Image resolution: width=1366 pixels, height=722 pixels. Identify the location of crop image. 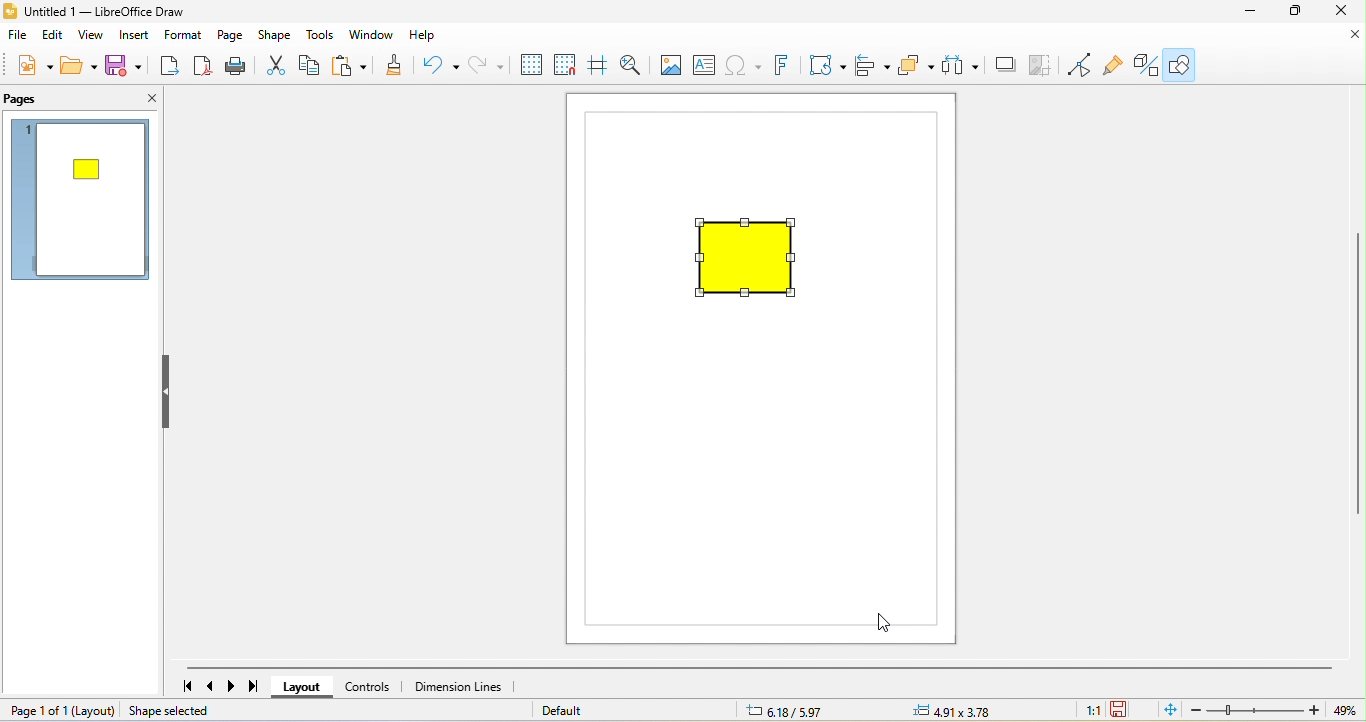
(1042, 67).